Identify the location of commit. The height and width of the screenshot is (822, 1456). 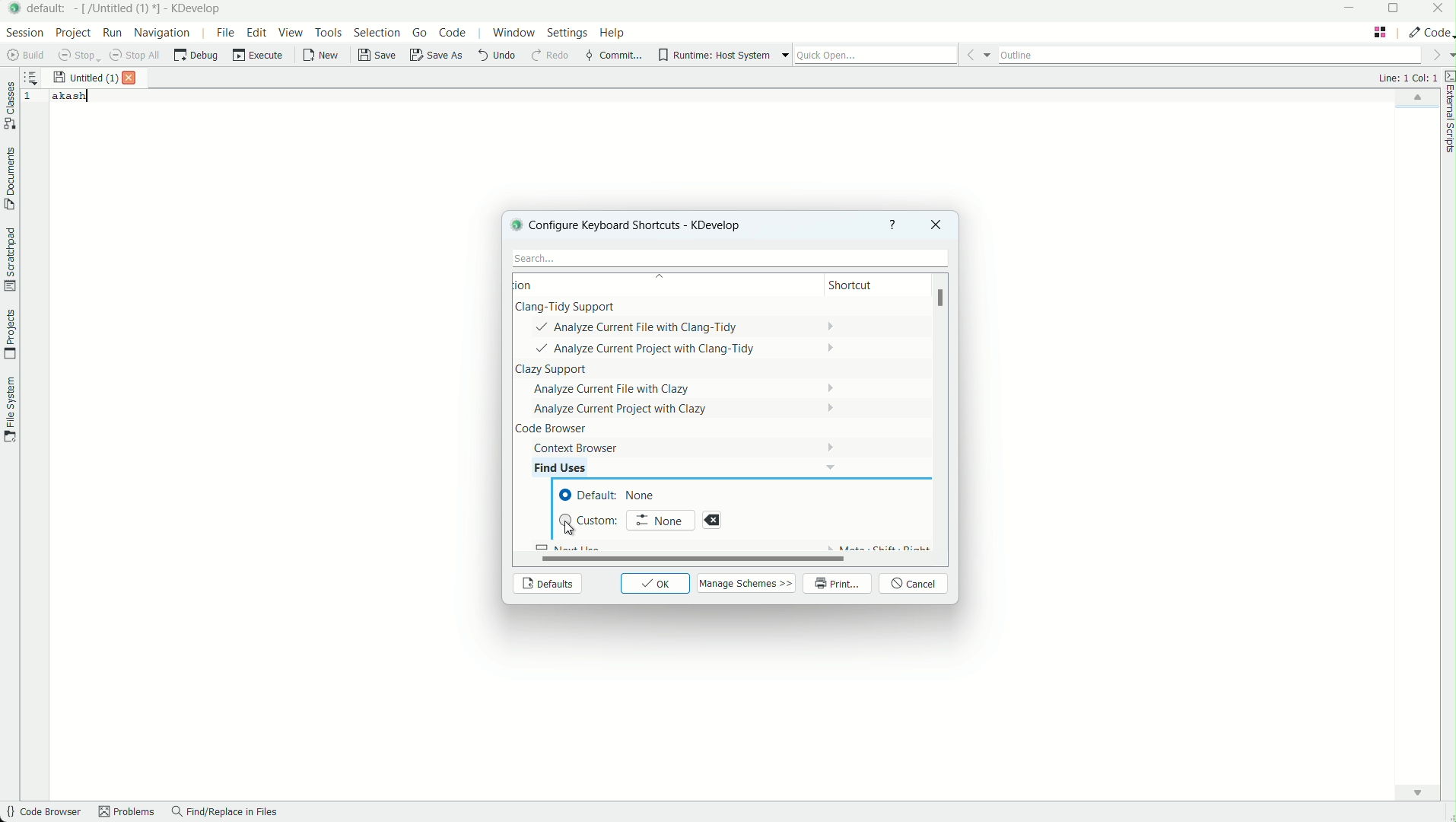
(613, 56).